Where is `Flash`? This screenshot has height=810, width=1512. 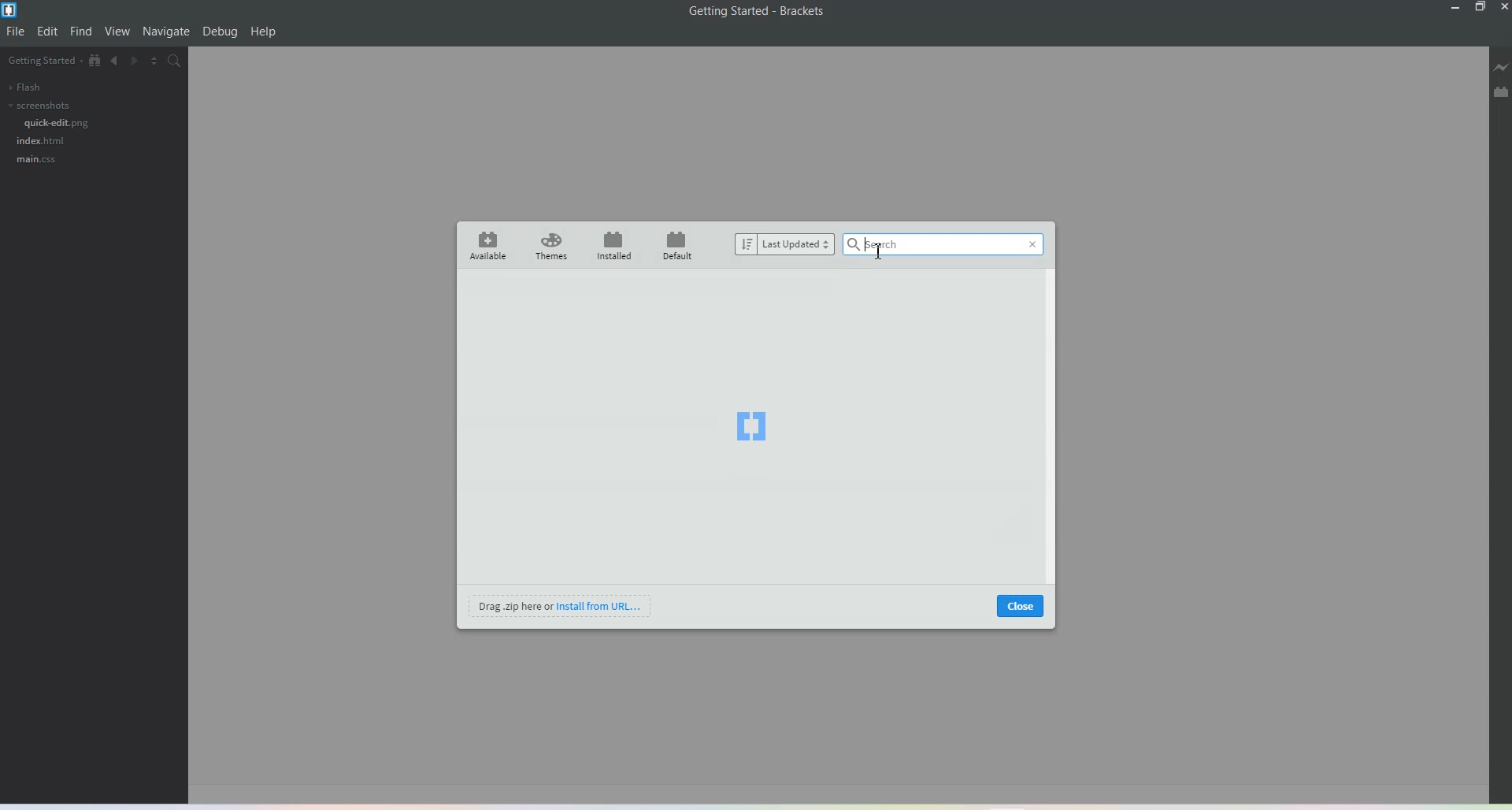
Flash is located at coordinates (24, 87).